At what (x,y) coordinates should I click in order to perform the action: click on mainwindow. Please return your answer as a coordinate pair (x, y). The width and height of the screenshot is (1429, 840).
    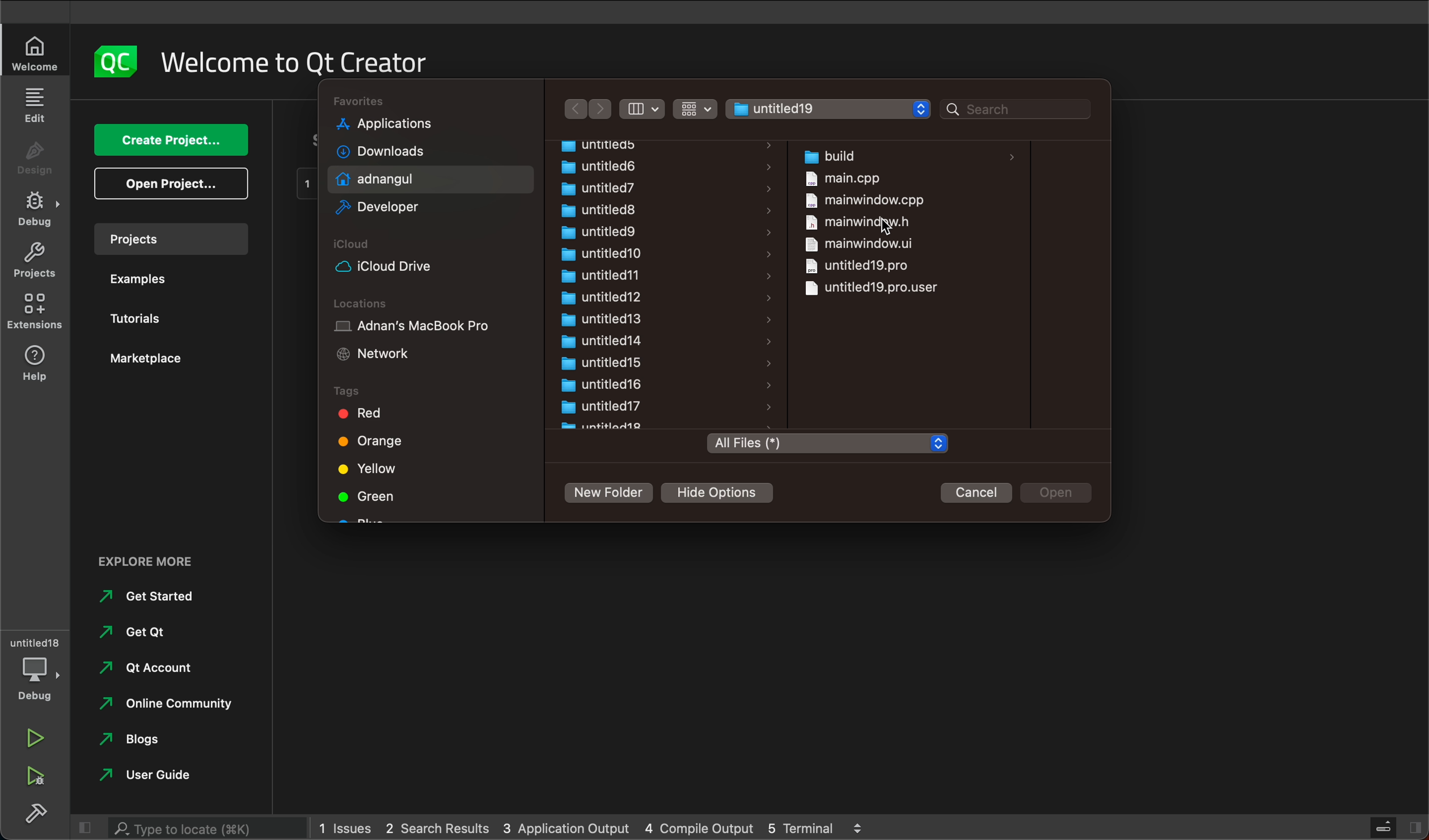
    Looking at the image, I should click on (862, 222).